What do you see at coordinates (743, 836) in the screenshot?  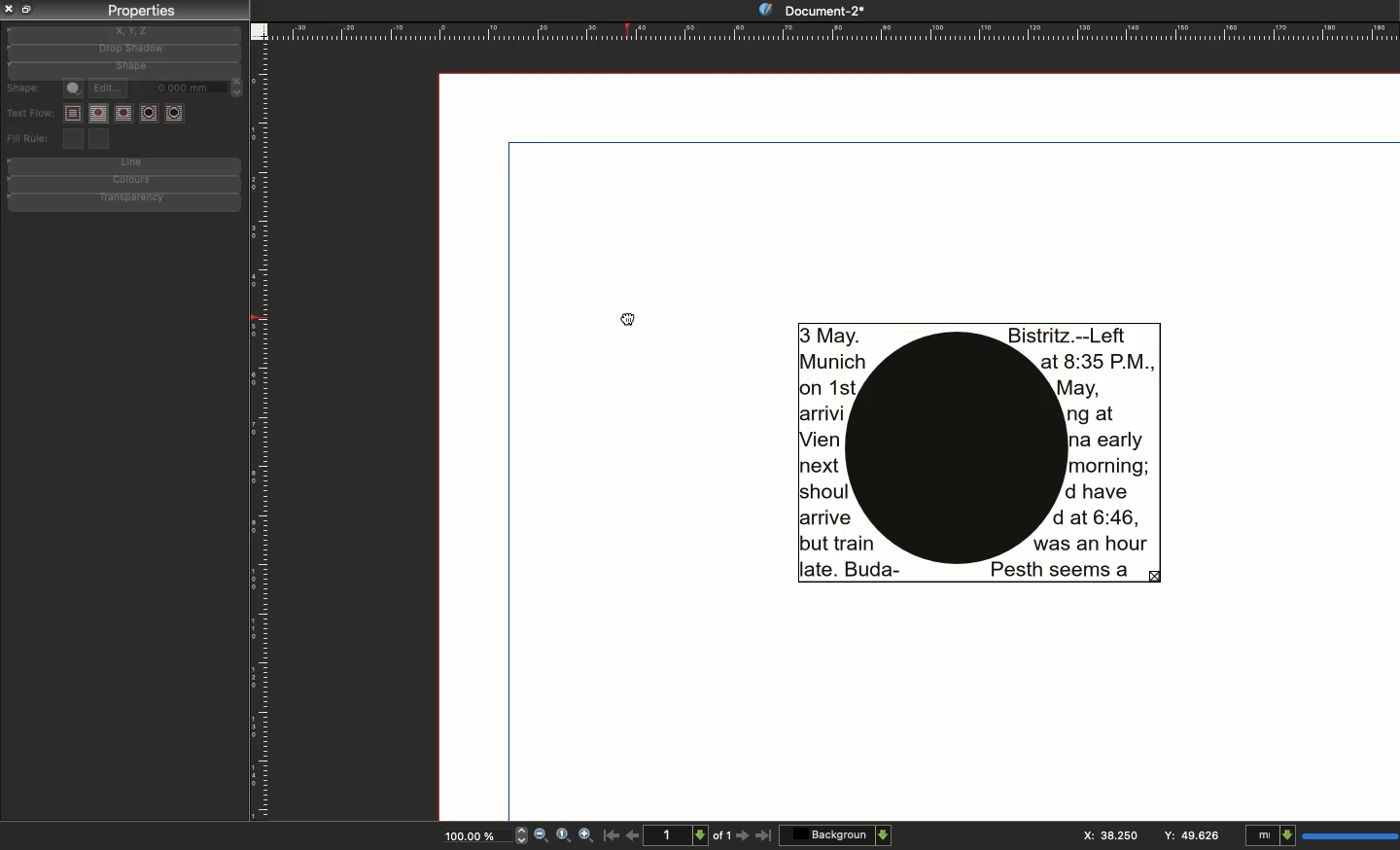 I see `Next page` at bounding box center [743, 836].